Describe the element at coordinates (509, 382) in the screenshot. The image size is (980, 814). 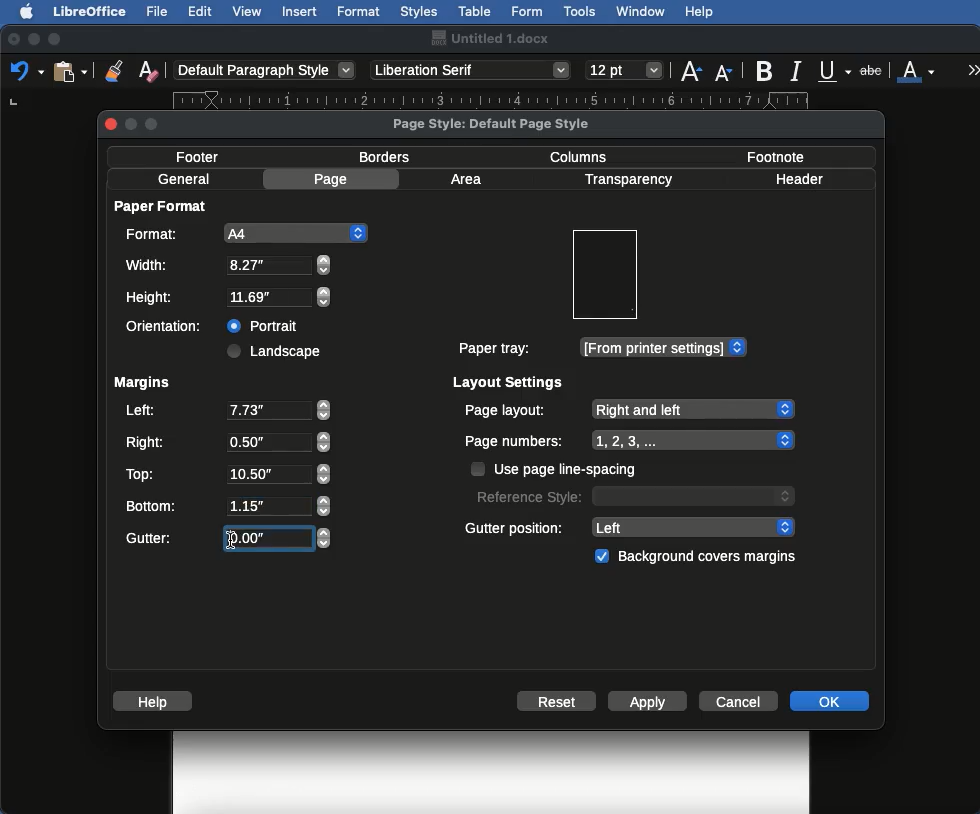
I see `Layout settings` at that location.